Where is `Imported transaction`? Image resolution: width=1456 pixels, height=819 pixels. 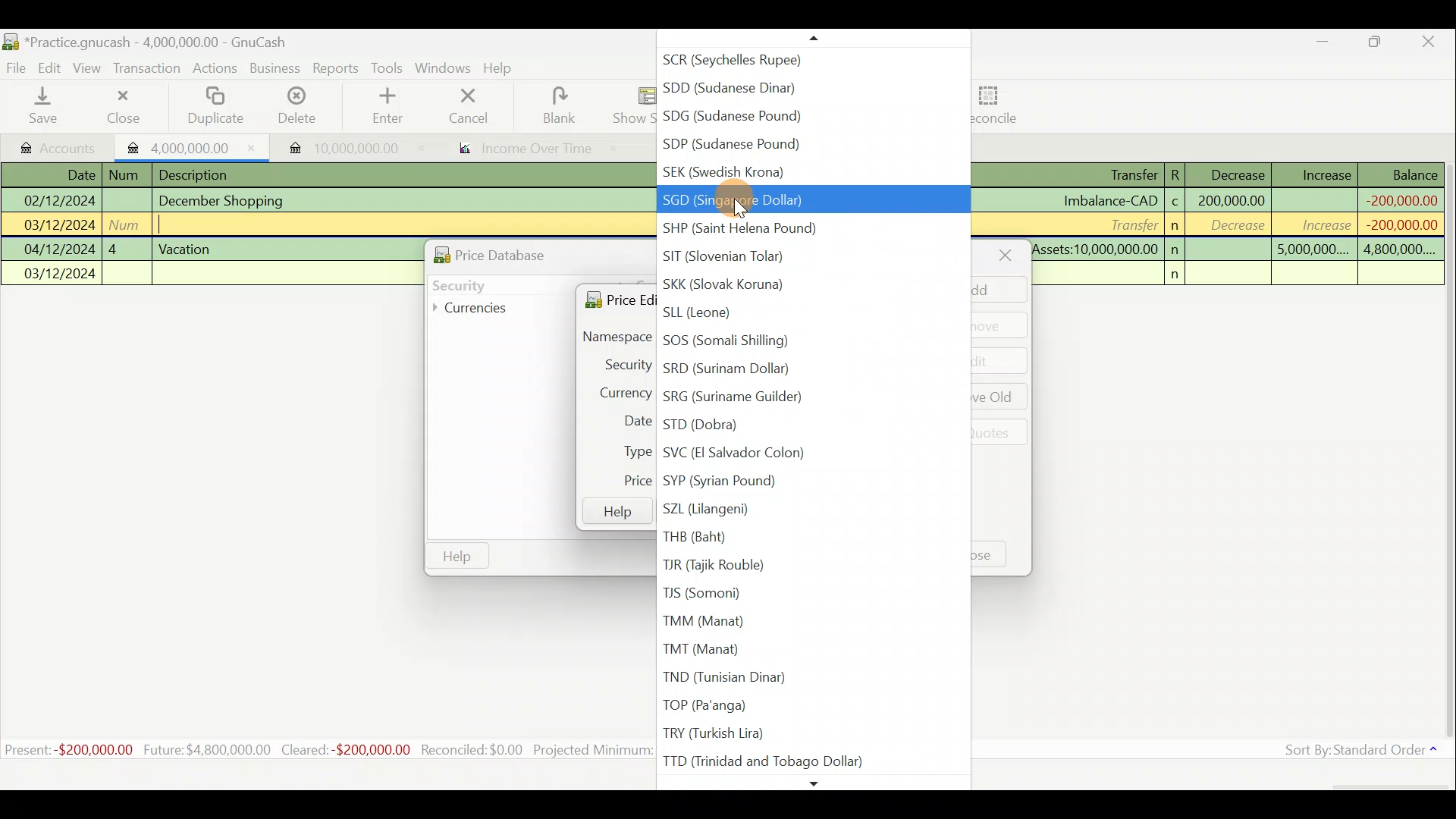
Imported transaction is located at coordinates (340, 144).